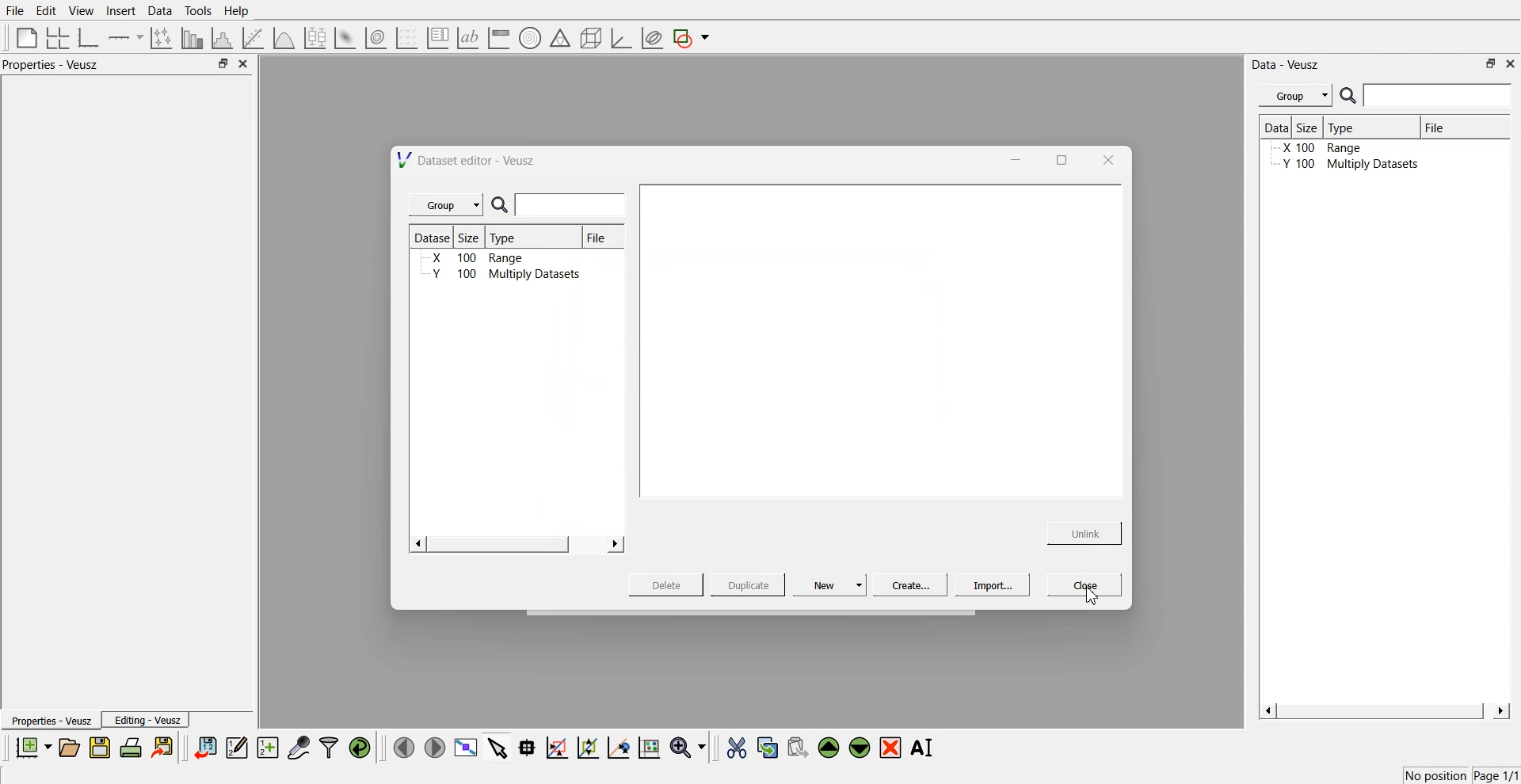 The height and width of the screenshot is (784, 1521). Describe the element at coordinates (993, 585) in the screenshot. I see `Import...` at that location.